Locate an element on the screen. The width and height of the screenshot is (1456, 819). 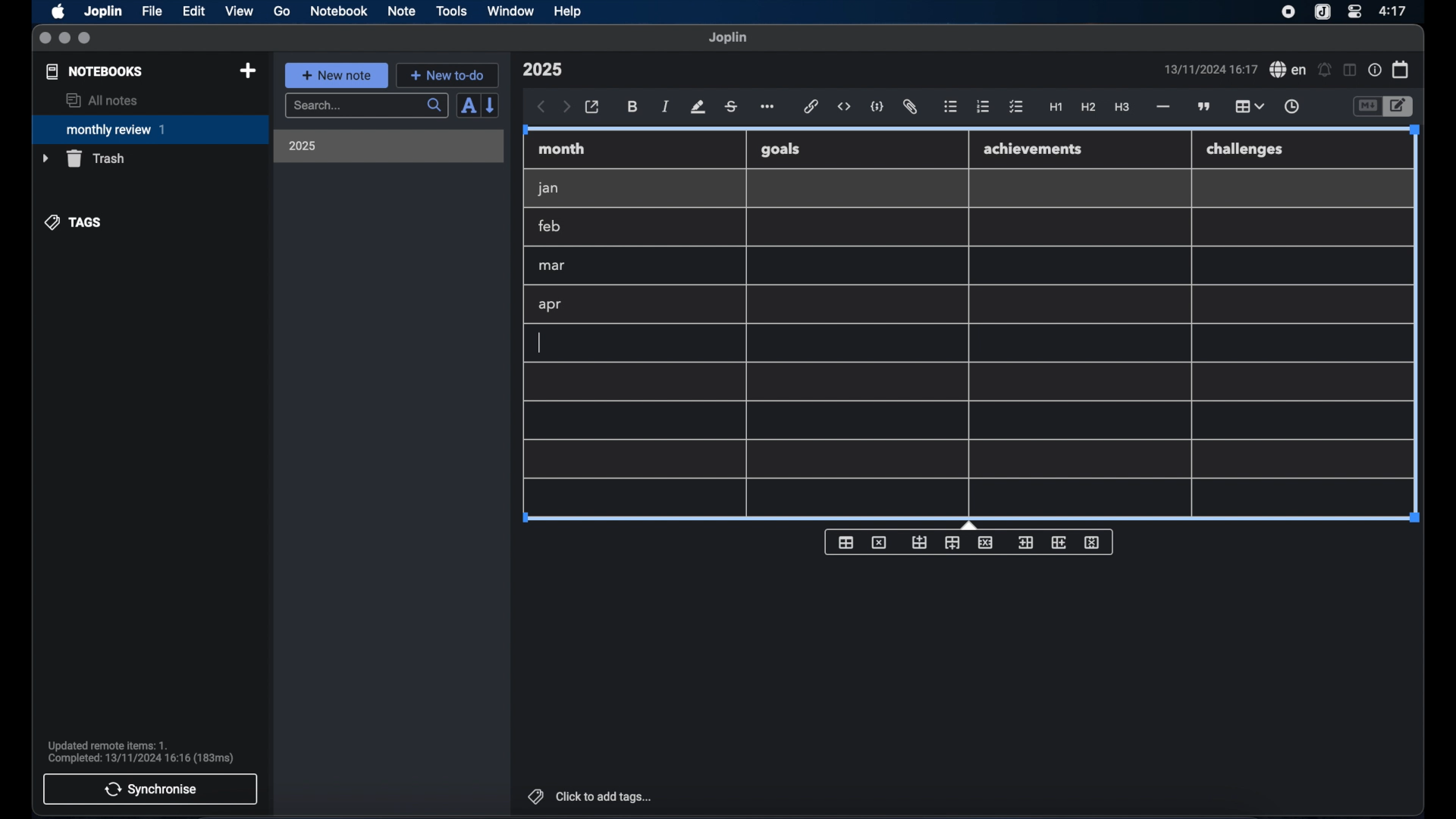
back is located at coordinates (541, 107).